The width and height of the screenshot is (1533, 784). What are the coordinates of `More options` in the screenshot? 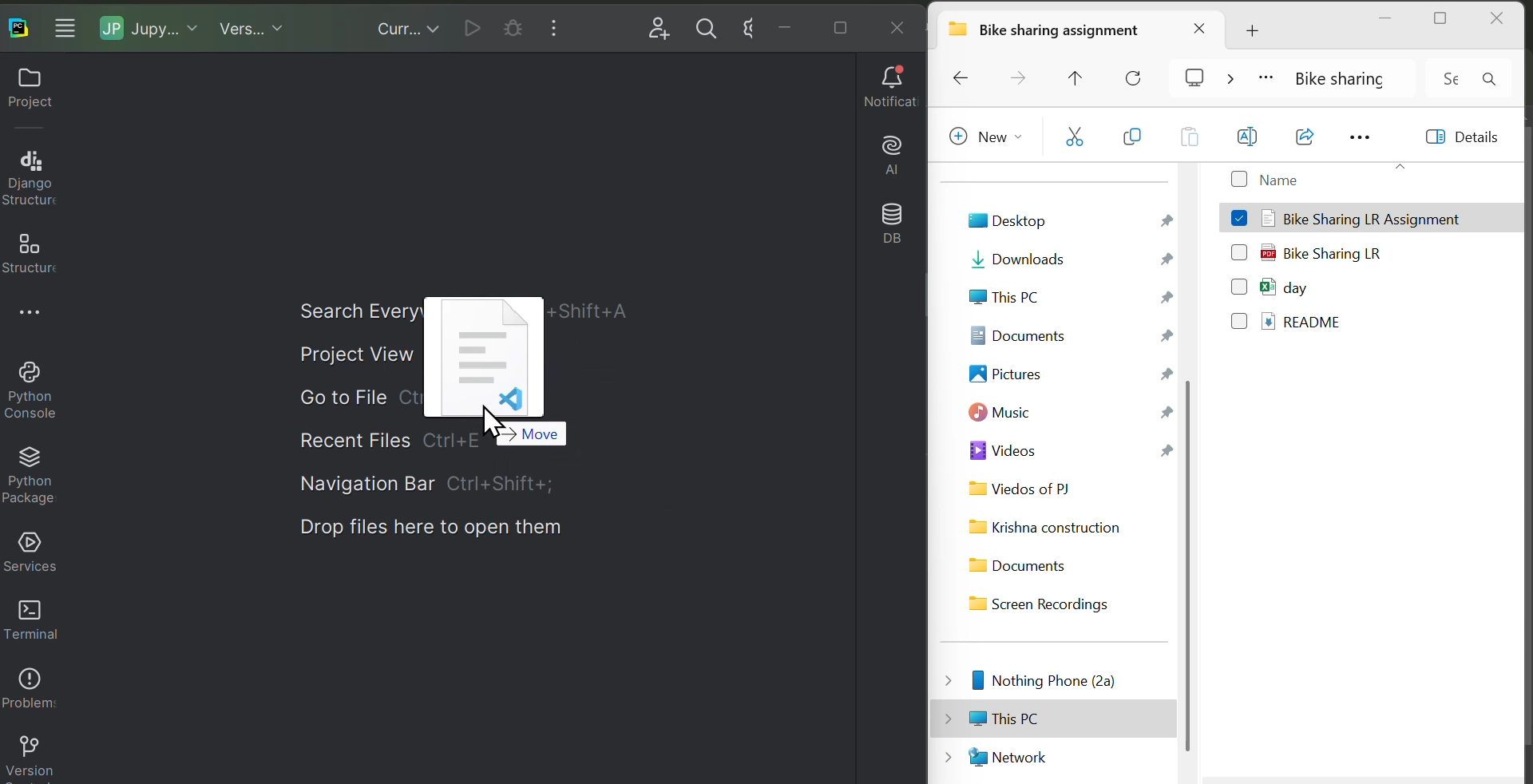 It's located at (1373, 137).